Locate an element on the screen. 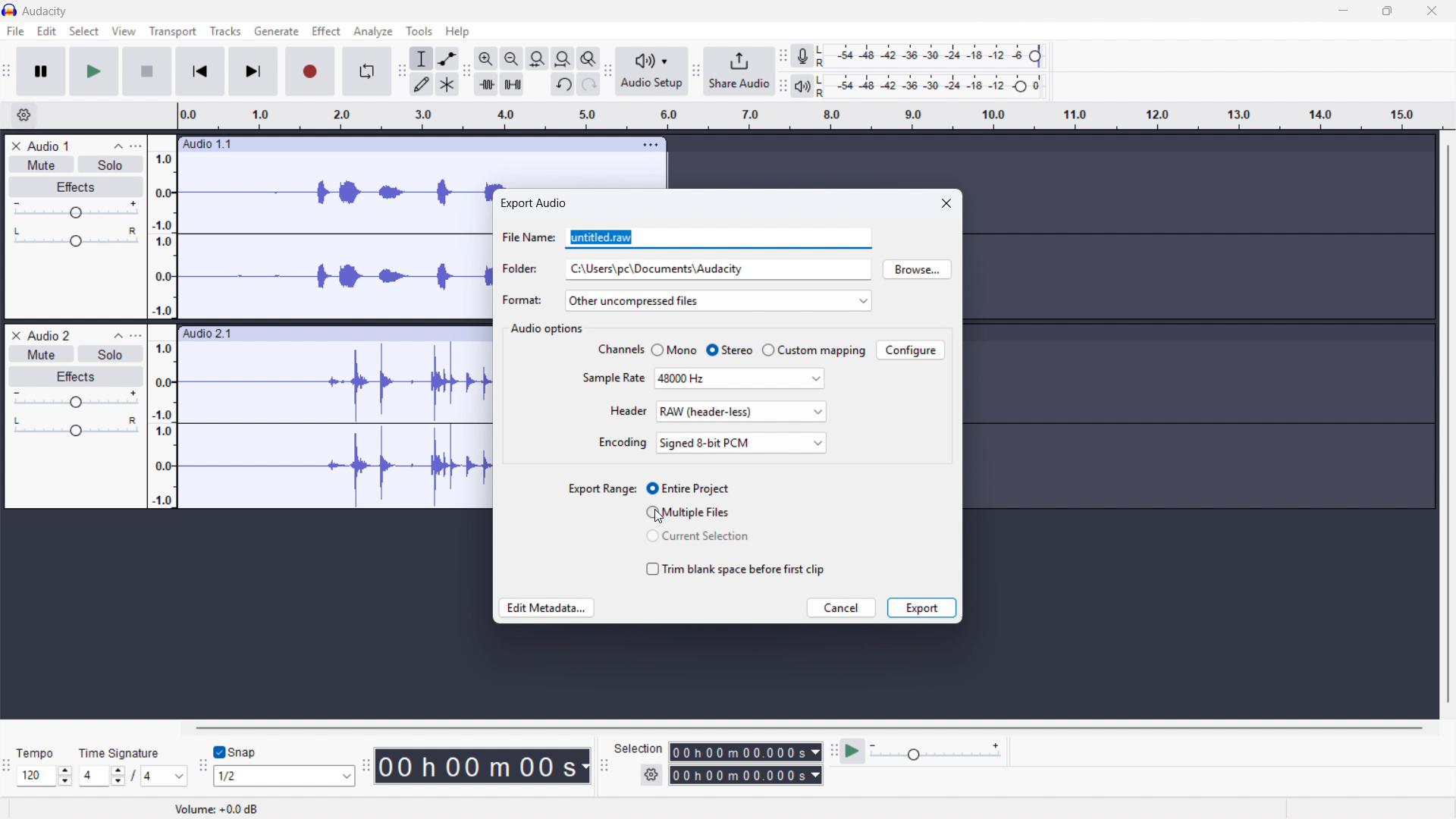  Selection tool is located at coordinates (422, 58).